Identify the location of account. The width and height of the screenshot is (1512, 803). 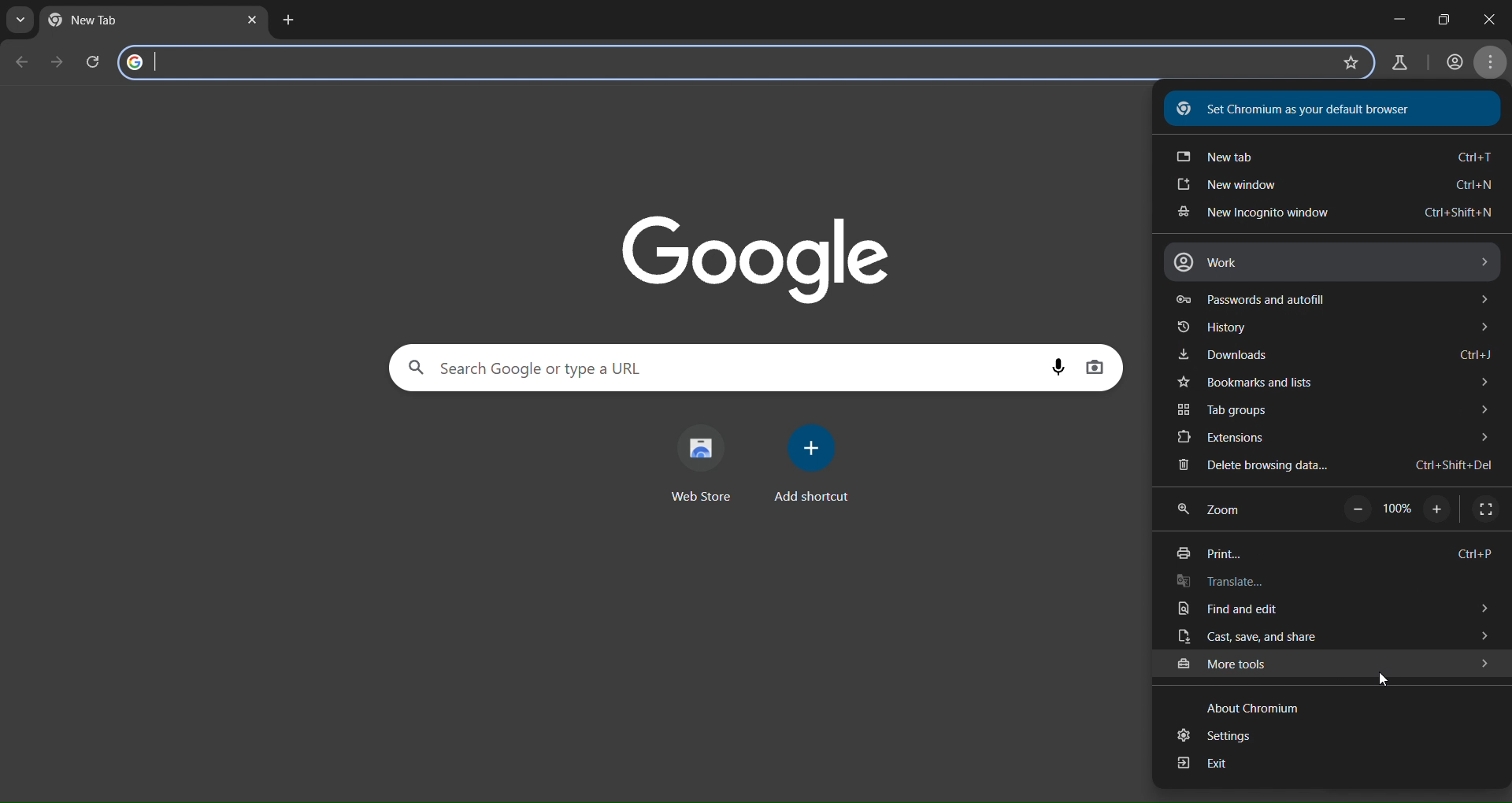
(1455, 64).